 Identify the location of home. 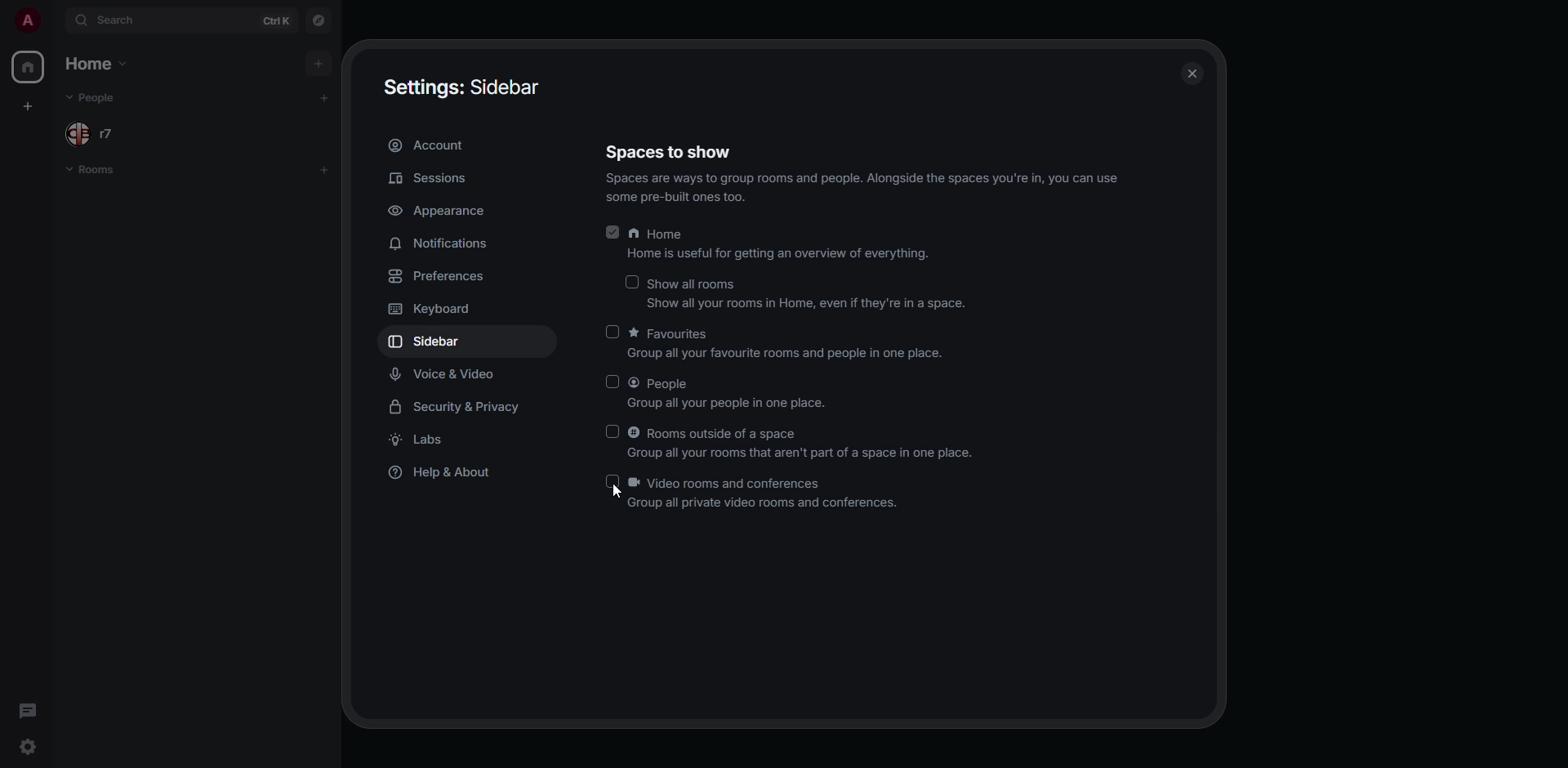
(91, 65).